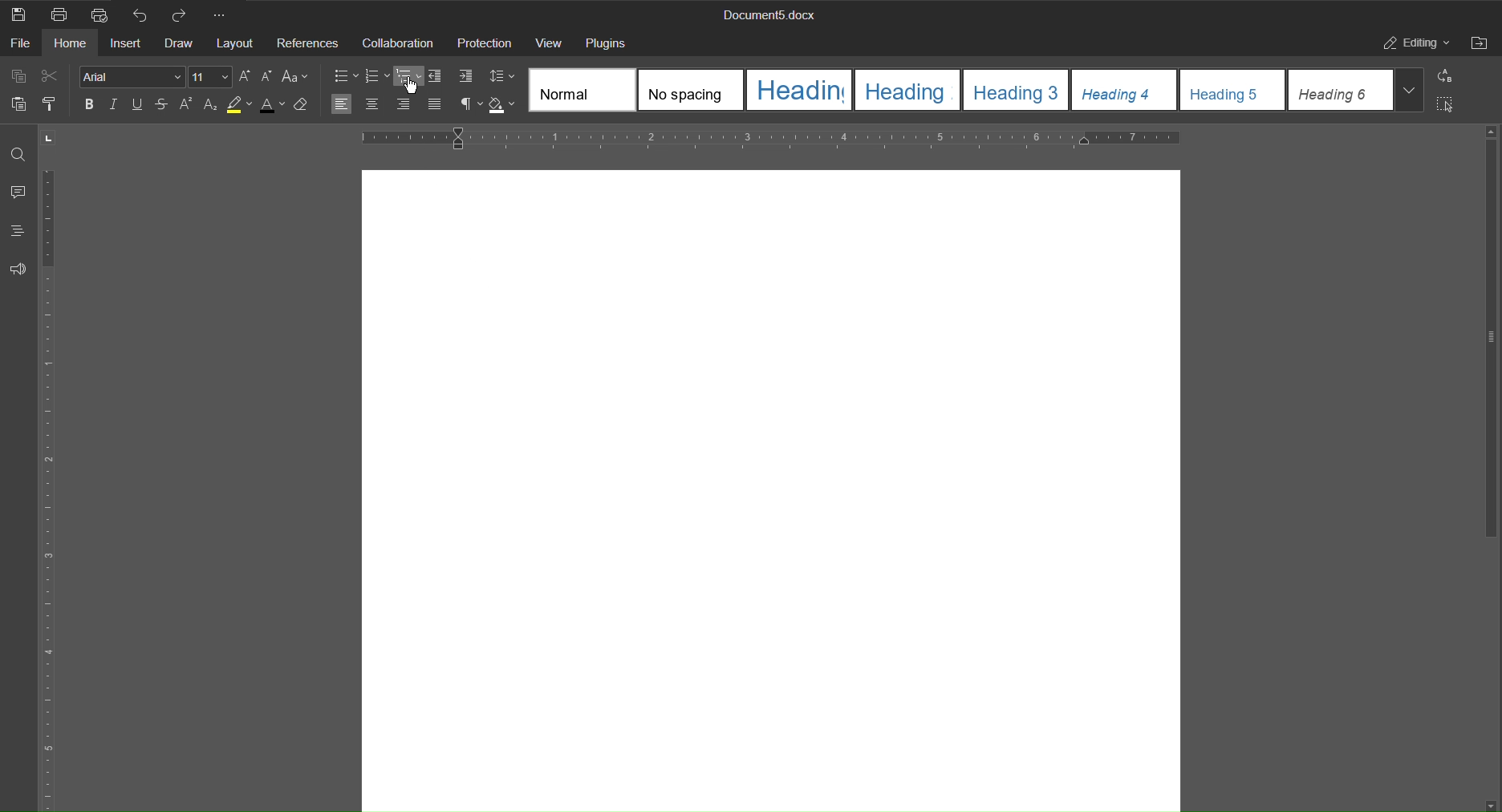 This screenshot has width=1502, height=812. What do you see at coordinates (800, 90) in the screenshot?
I see `Heading 1` at bounding box center [800, 90].